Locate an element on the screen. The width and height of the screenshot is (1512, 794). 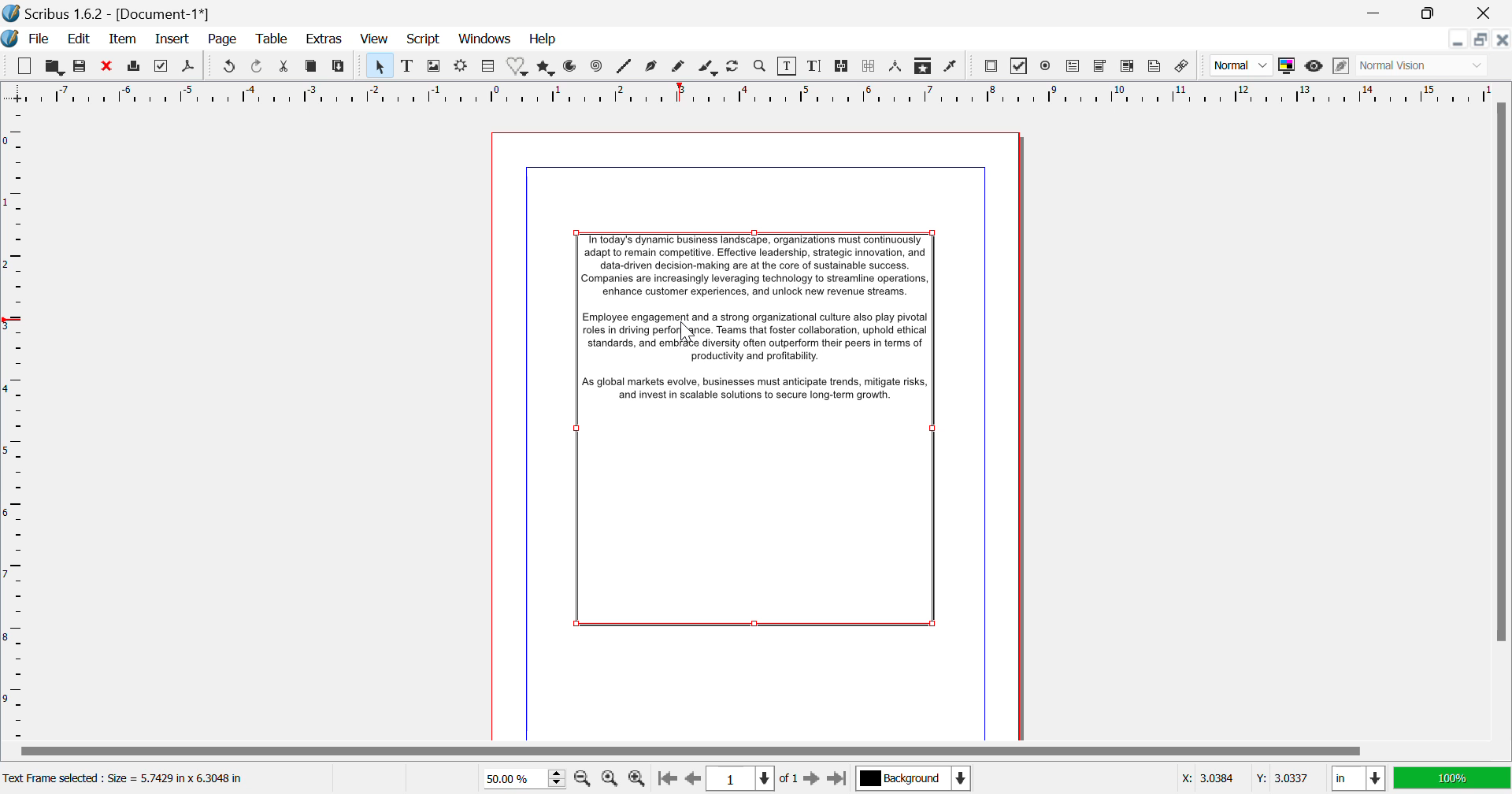
Text Frame selected : Size = 5.7425 in x 6.3048 in is located at coordinates (128, 780).